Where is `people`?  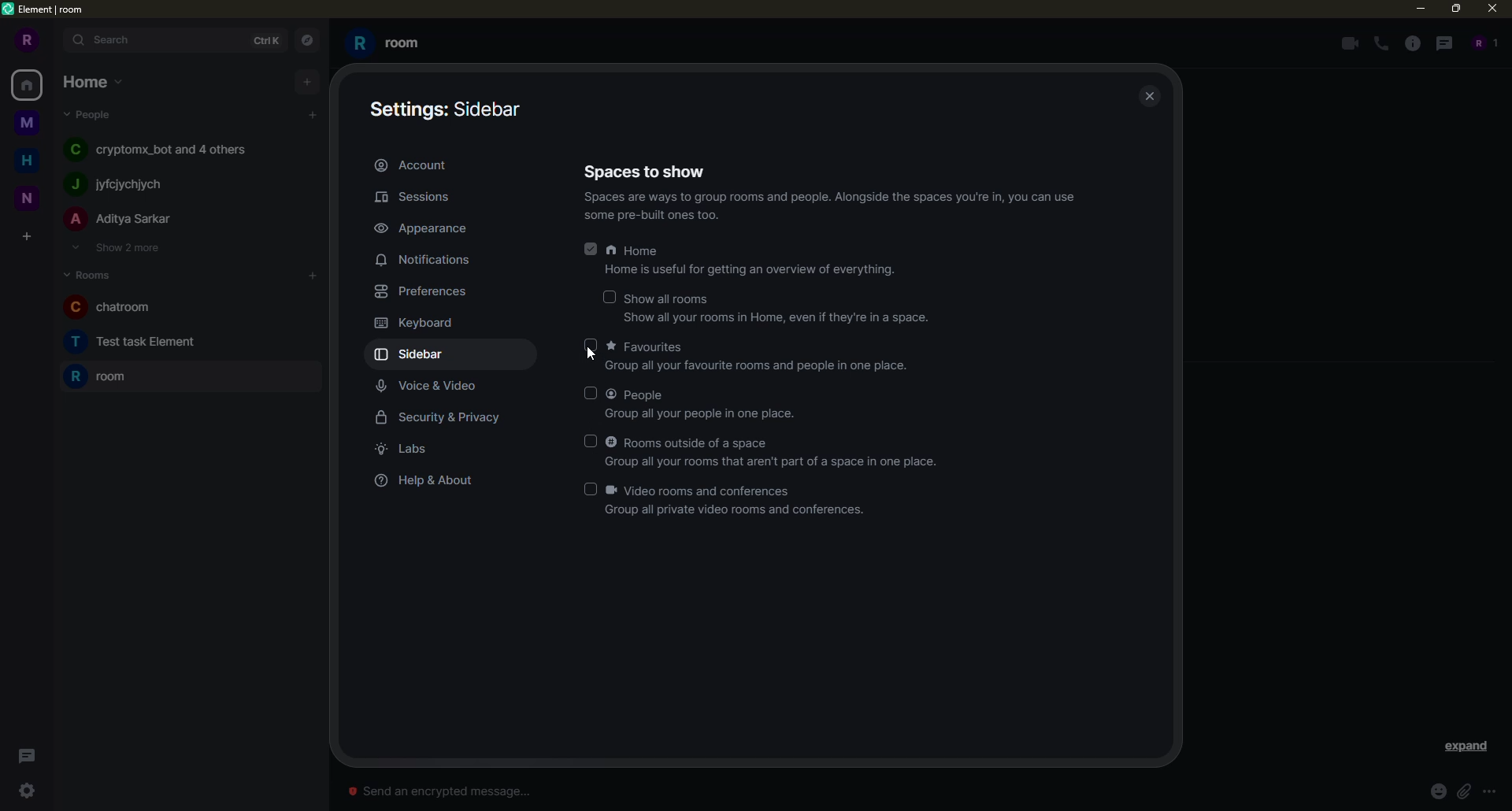 people is located at coordinates (90, 115).